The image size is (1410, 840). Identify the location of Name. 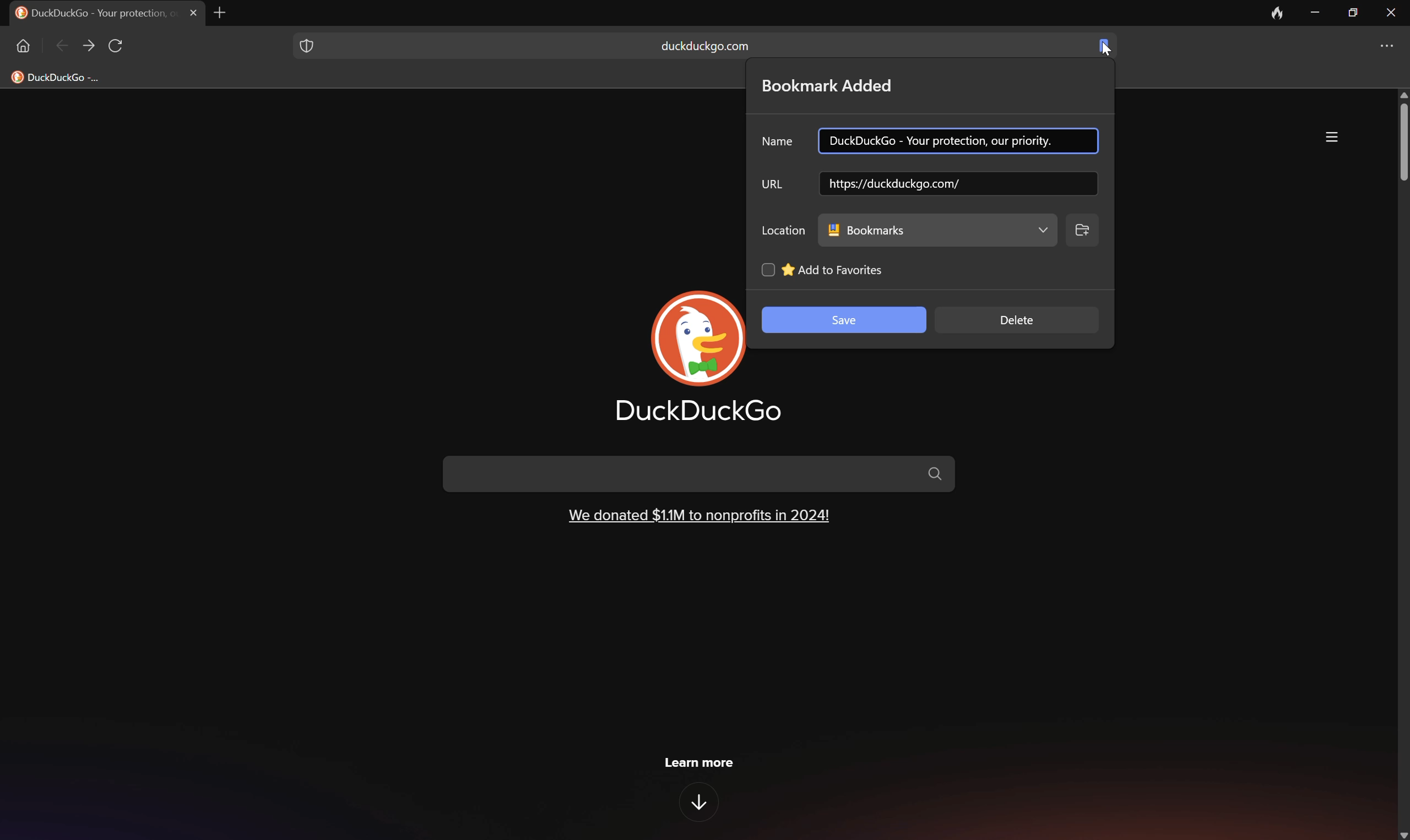
(779, 142).